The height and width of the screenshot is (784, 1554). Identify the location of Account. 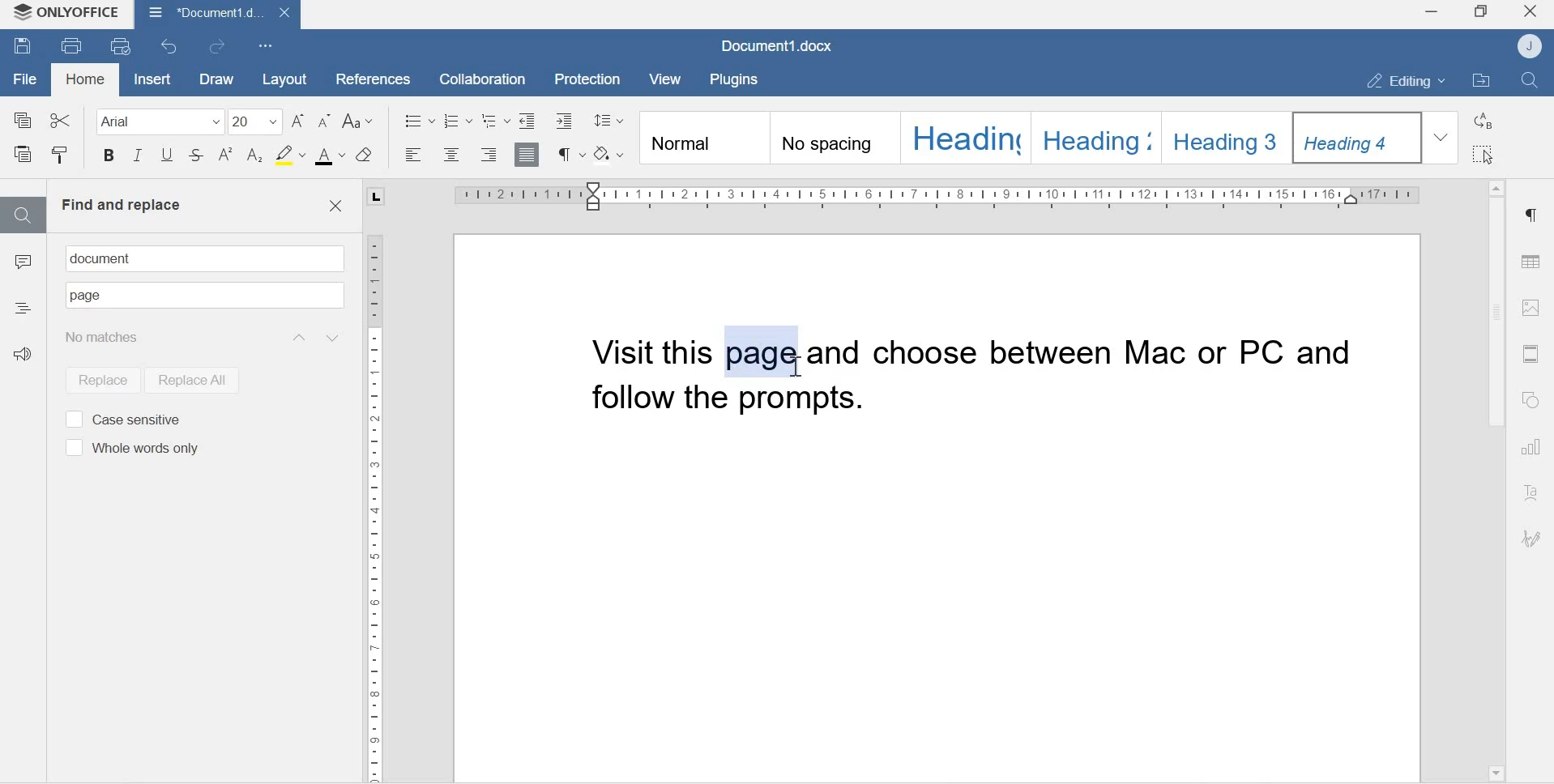
(1532, 46).